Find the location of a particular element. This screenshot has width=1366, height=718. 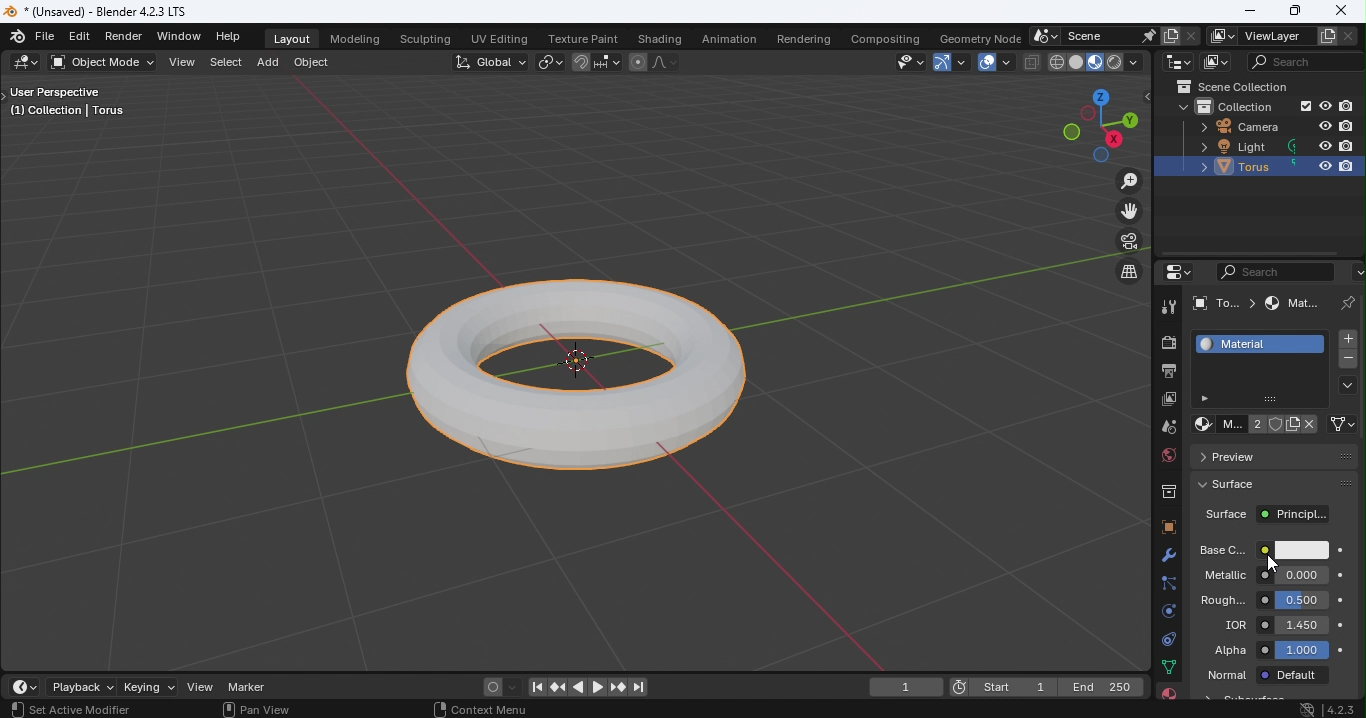

Transformation Orientation is located at coordinates (490, 61).